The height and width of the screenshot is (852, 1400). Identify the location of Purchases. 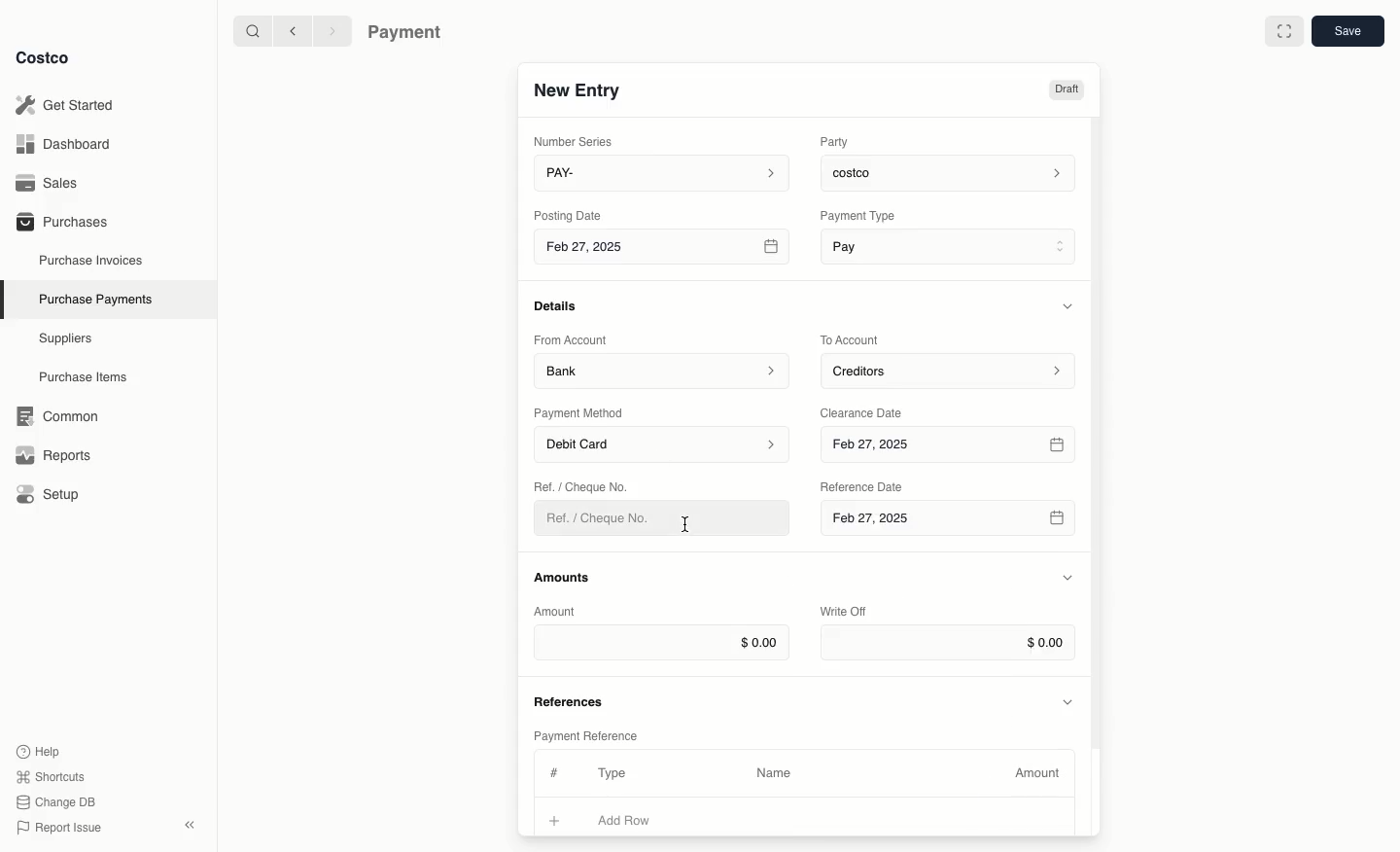
(61, 221).